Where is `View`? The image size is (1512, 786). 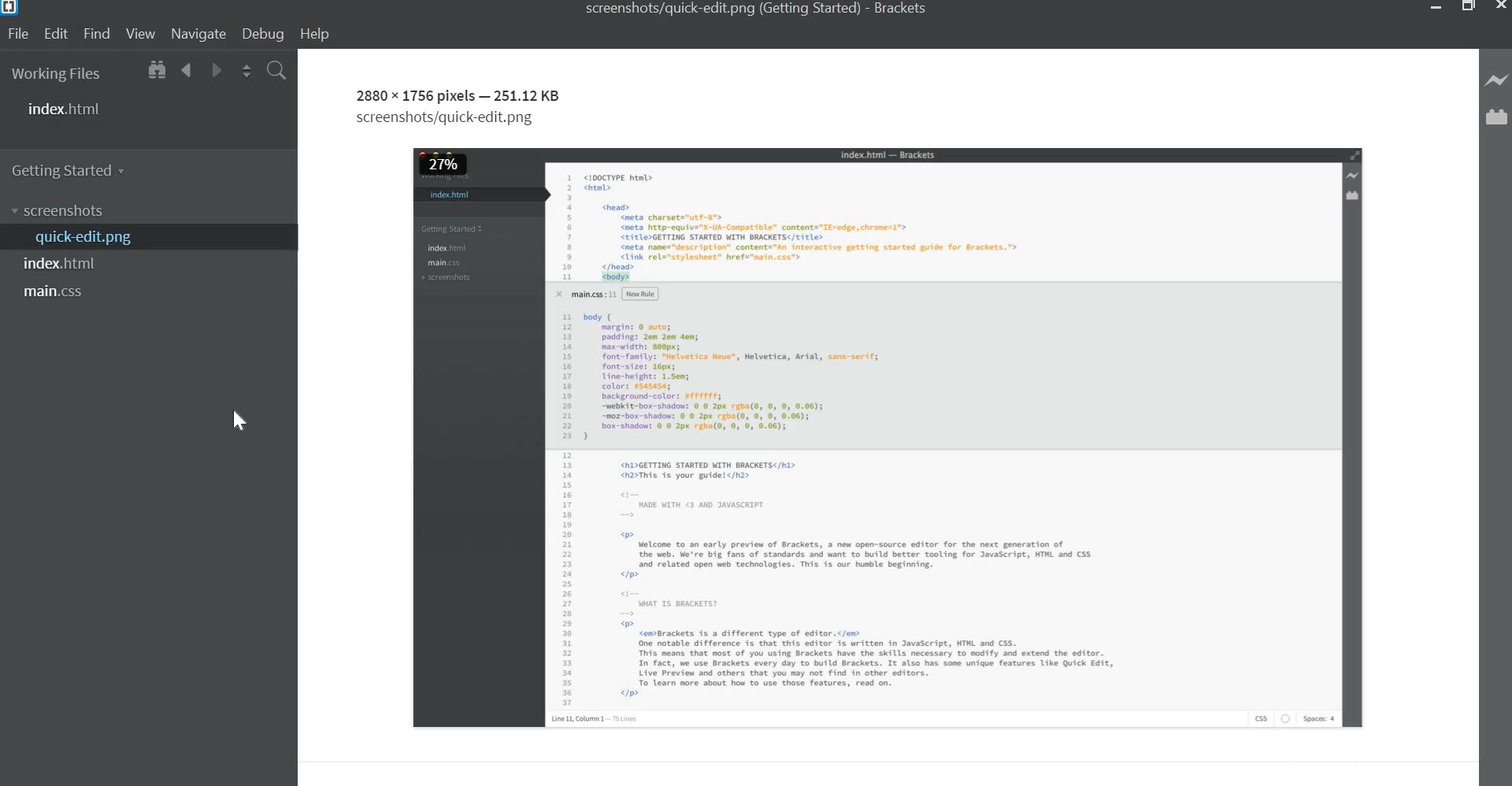 View is located at coordinates (140, 35).